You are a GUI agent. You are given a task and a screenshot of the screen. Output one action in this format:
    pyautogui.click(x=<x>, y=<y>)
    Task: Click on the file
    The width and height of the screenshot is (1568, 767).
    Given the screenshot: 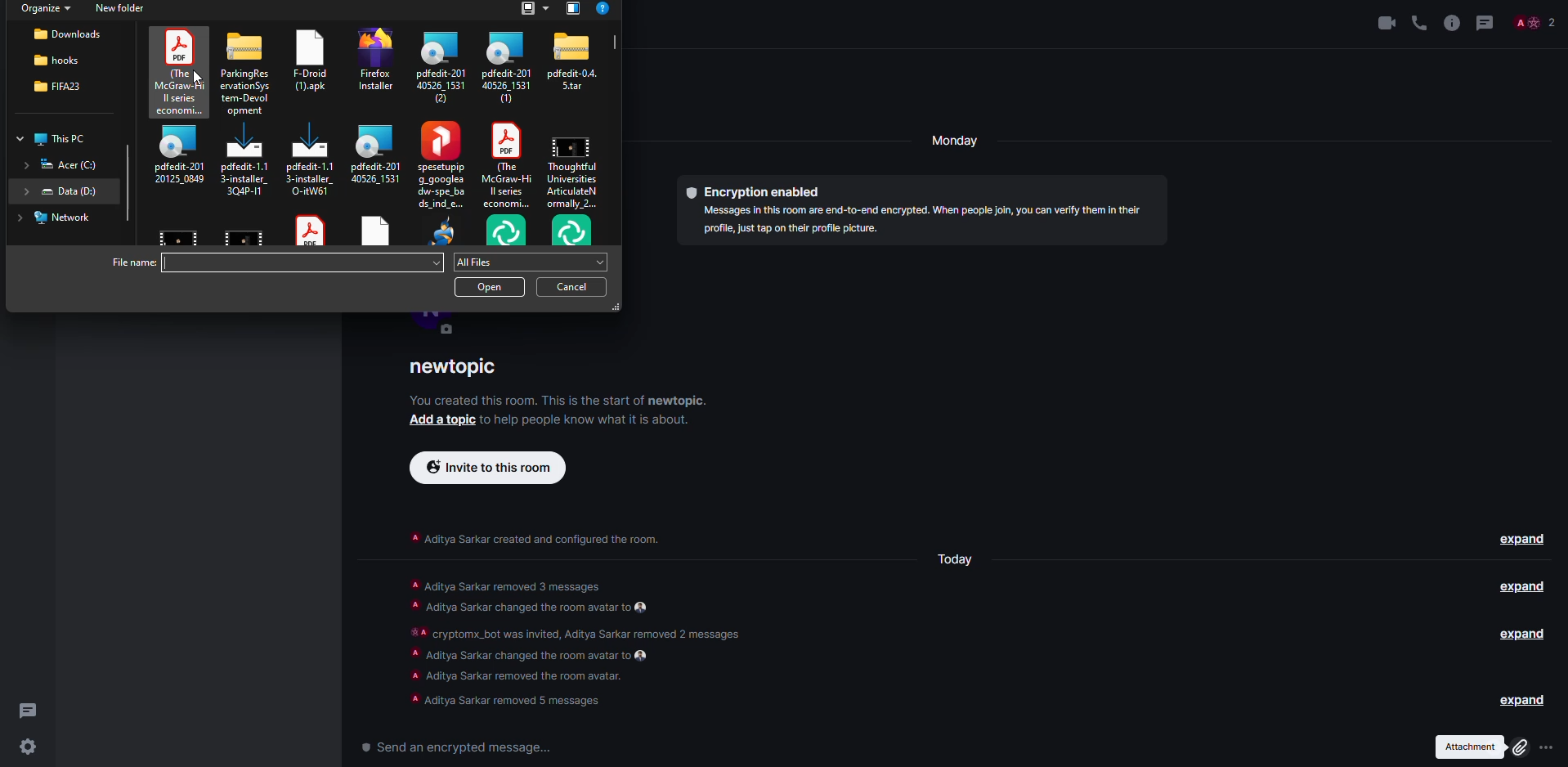 What is the action you would take?
    pyautogui.click(x=179, y=73)
    